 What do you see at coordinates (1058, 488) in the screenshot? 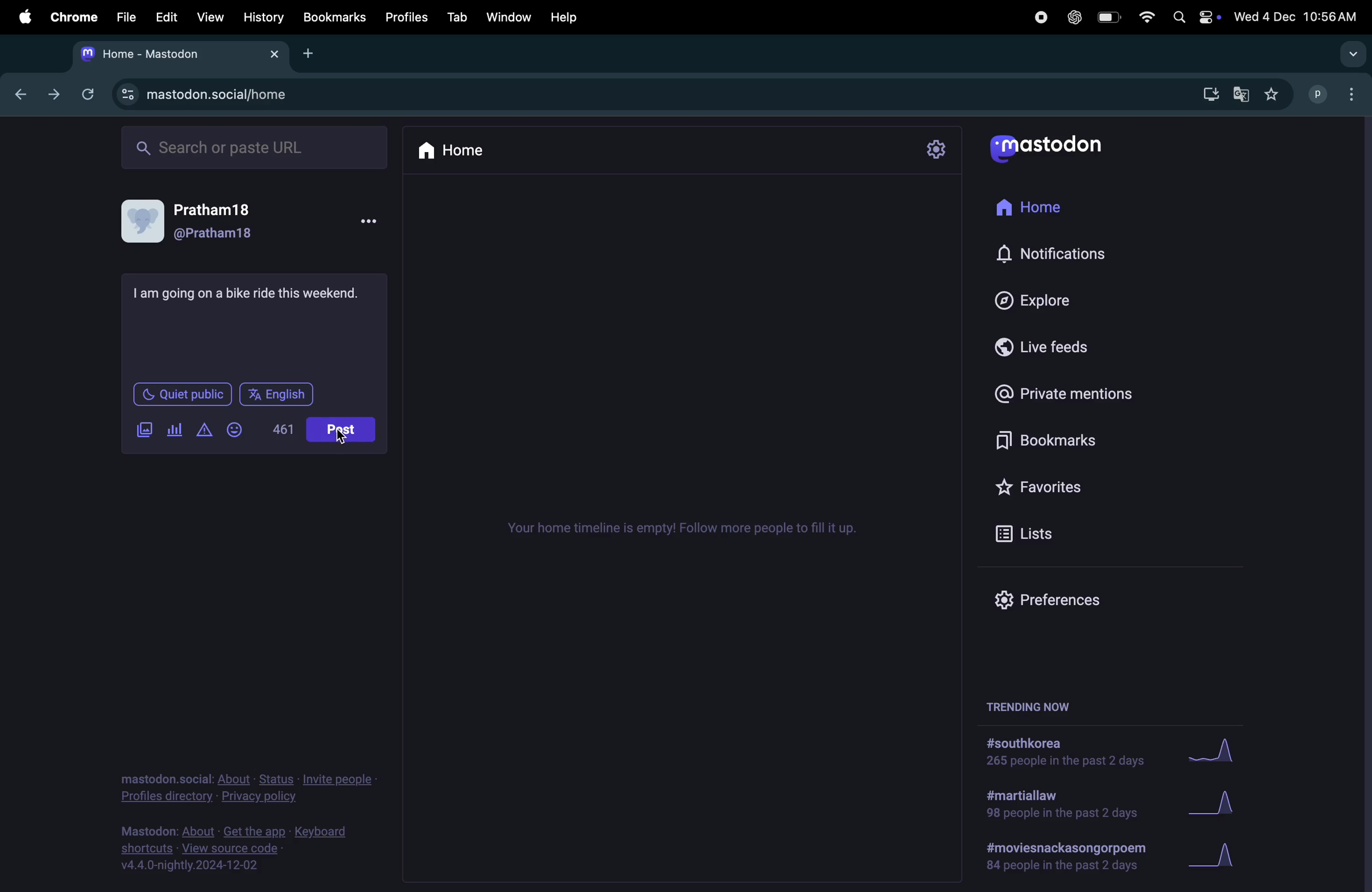
I see `favourites` at bounding box center [1058, 488].